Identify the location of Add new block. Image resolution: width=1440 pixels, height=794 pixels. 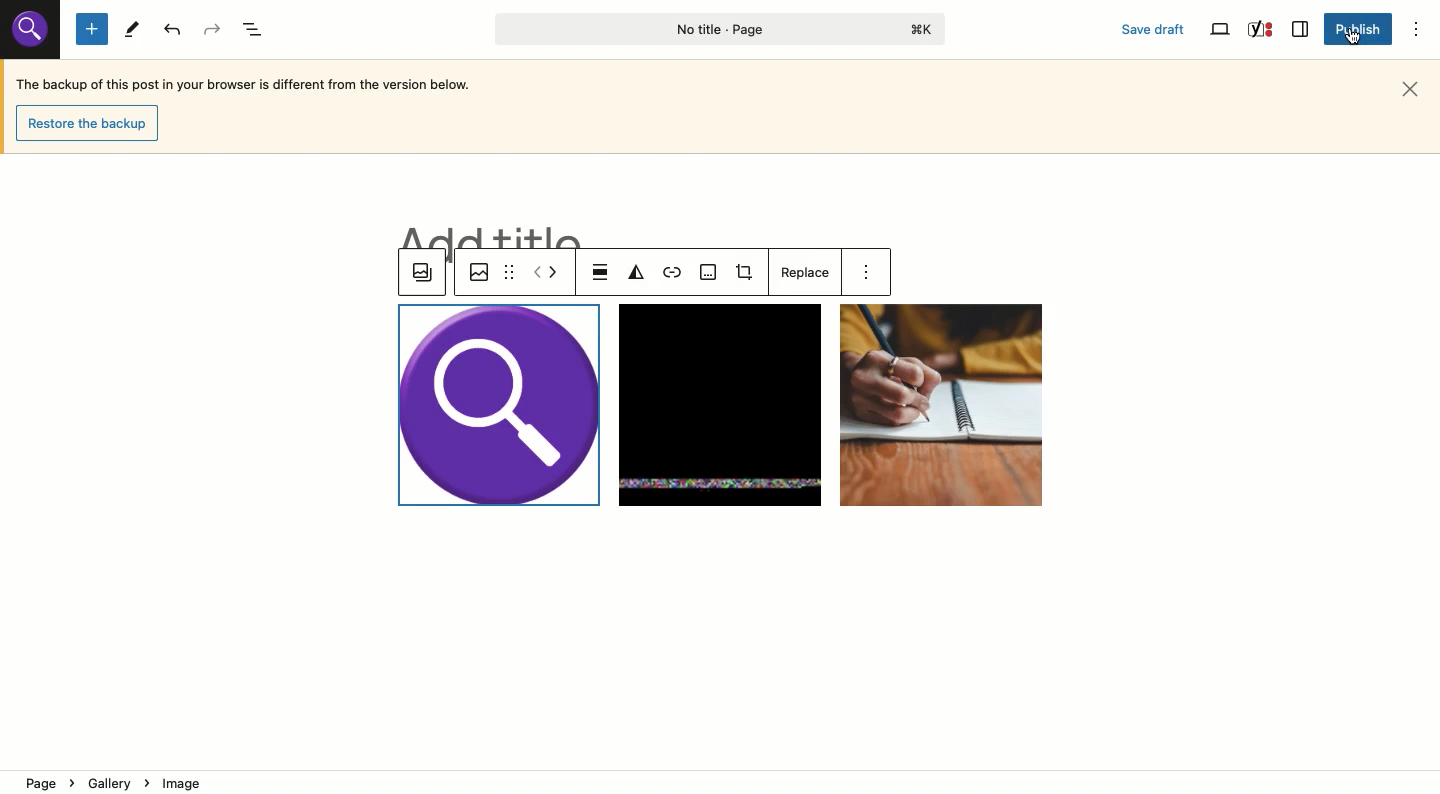
(92, 30).